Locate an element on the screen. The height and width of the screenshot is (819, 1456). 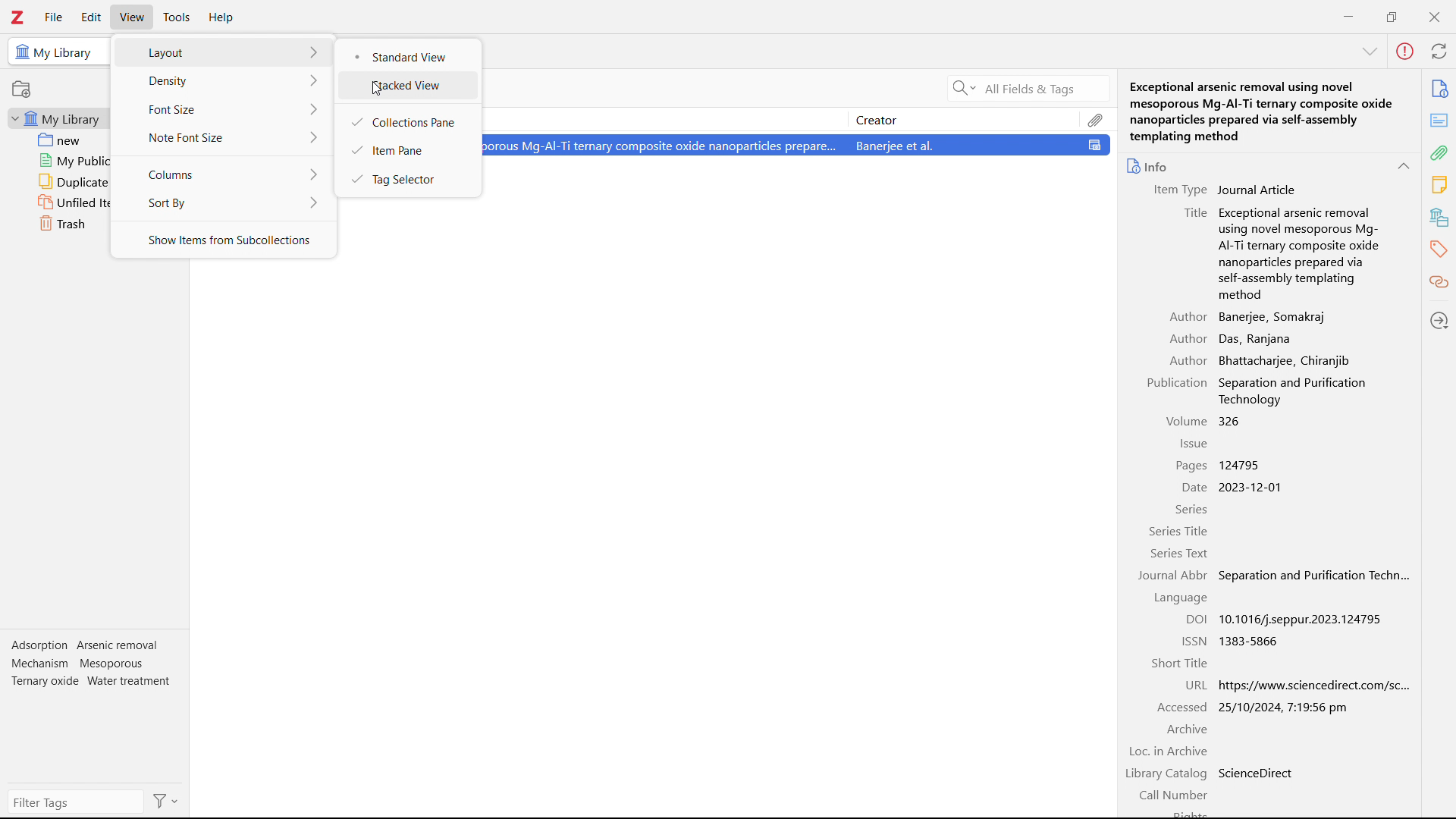
Short Title is located at coordinates (1178, 662).